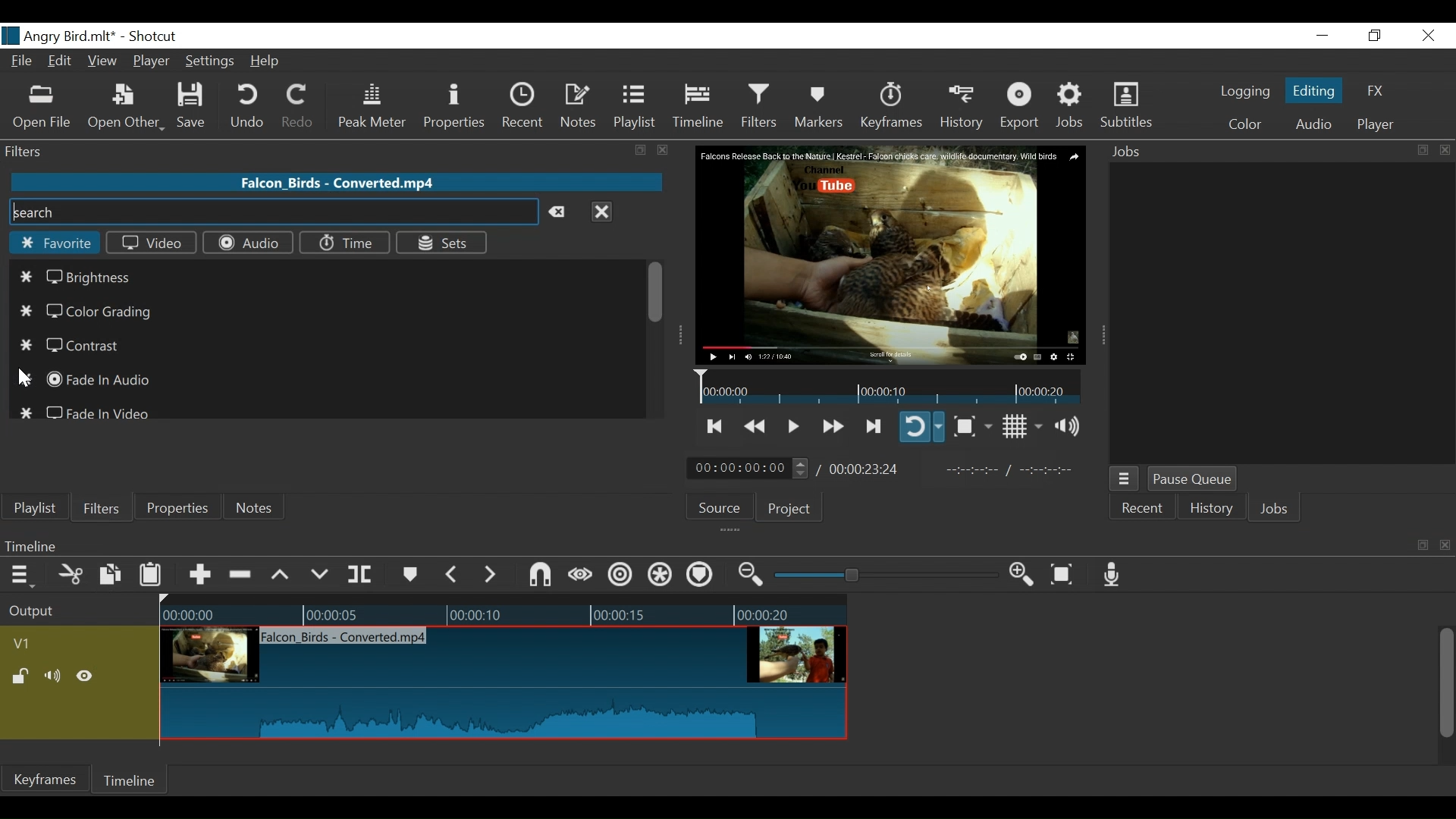  What do you see at coordinates (126, 107) in the screenshot?
I see `Open Other` at bounding box center [126, 107].